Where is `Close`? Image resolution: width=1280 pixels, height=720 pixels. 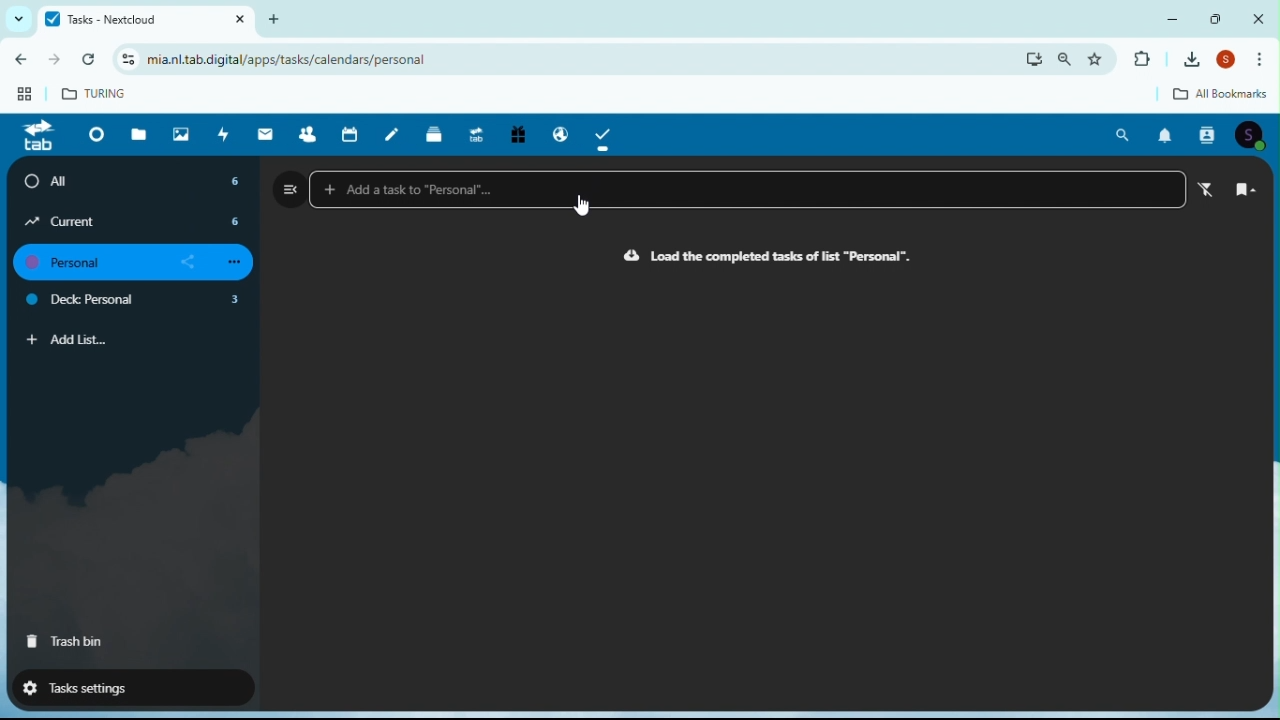
Close is located at coordinates (1258, 18).